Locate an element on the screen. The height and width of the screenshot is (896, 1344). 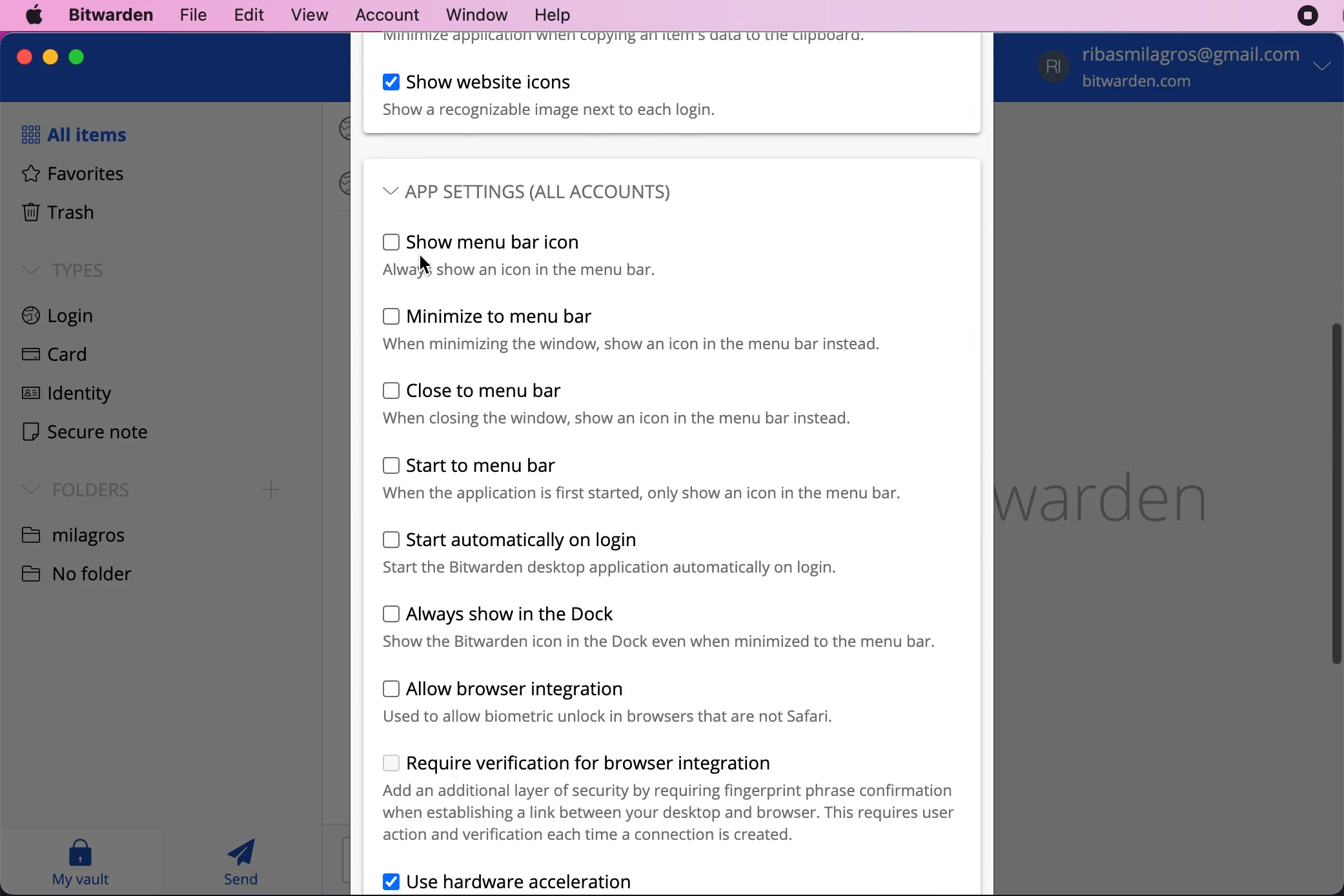
use hardware acceleration is located at coordinates (510, 879).